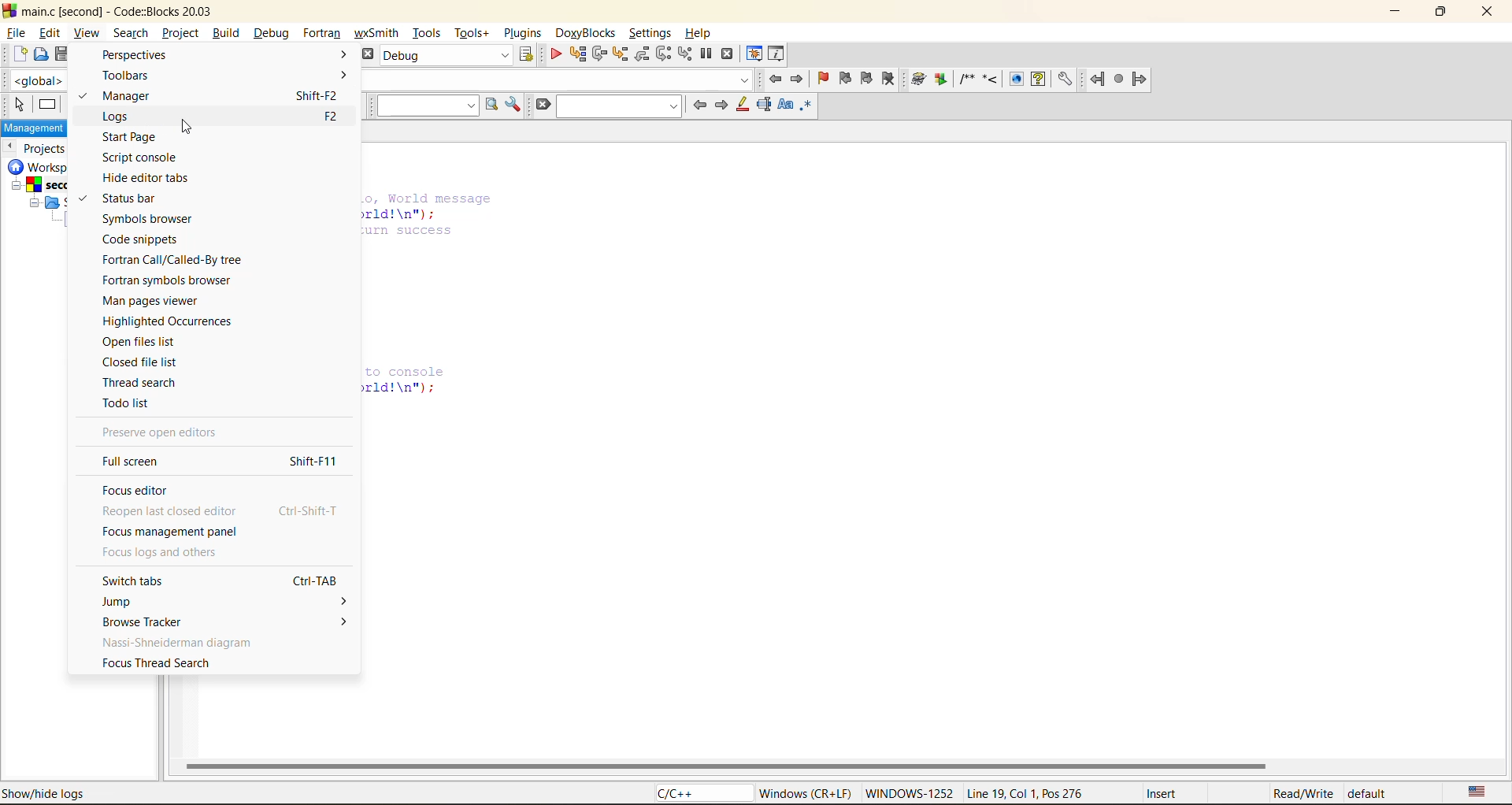 The image size is (1512, 805). Describe the element at coordinates (336, 76) in the screenshot. I see `>` at that location.